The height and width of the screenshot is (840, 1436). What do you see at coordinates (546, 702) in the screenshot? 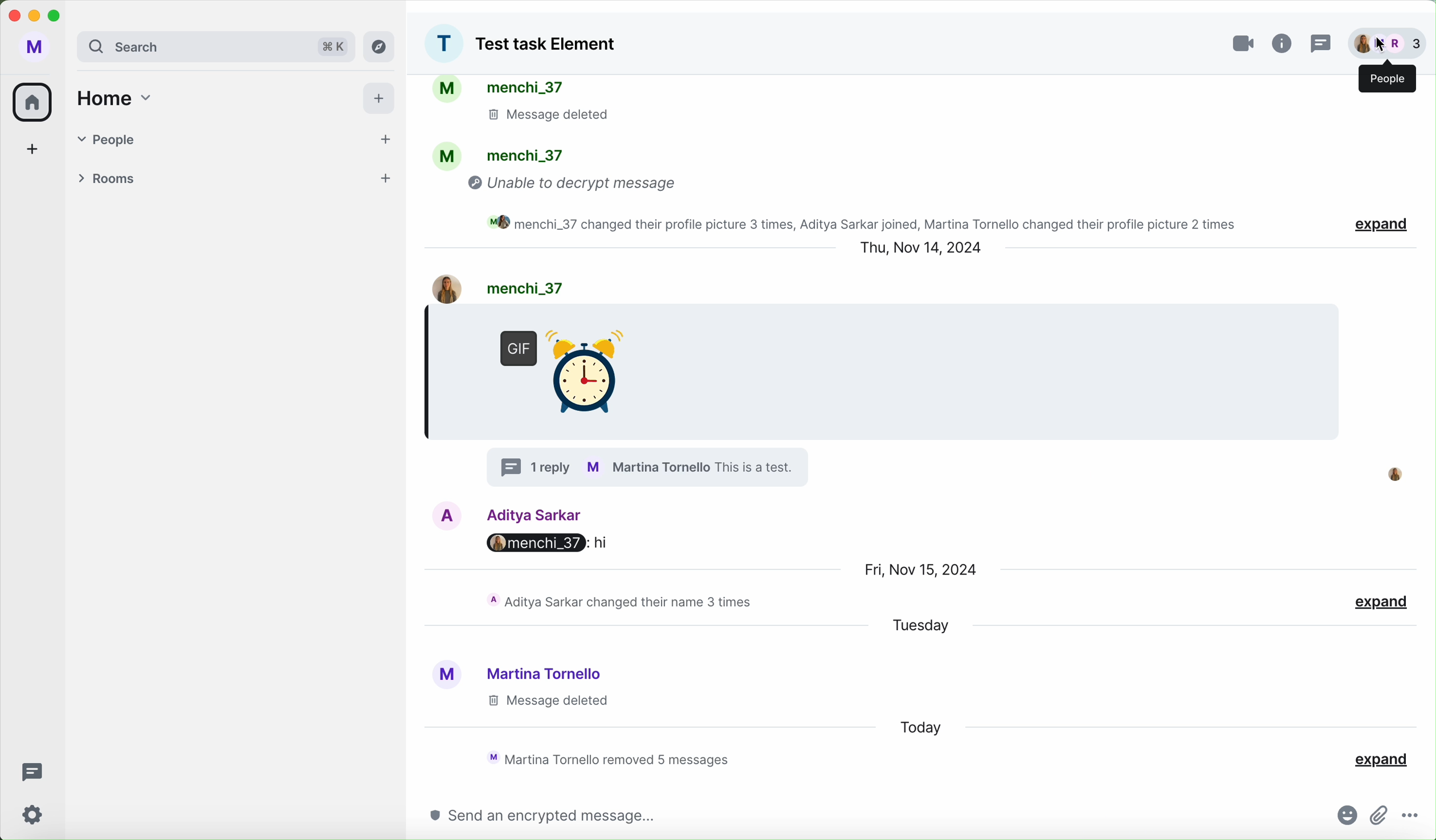
I see `message delated` at bounding box center [546, 702].